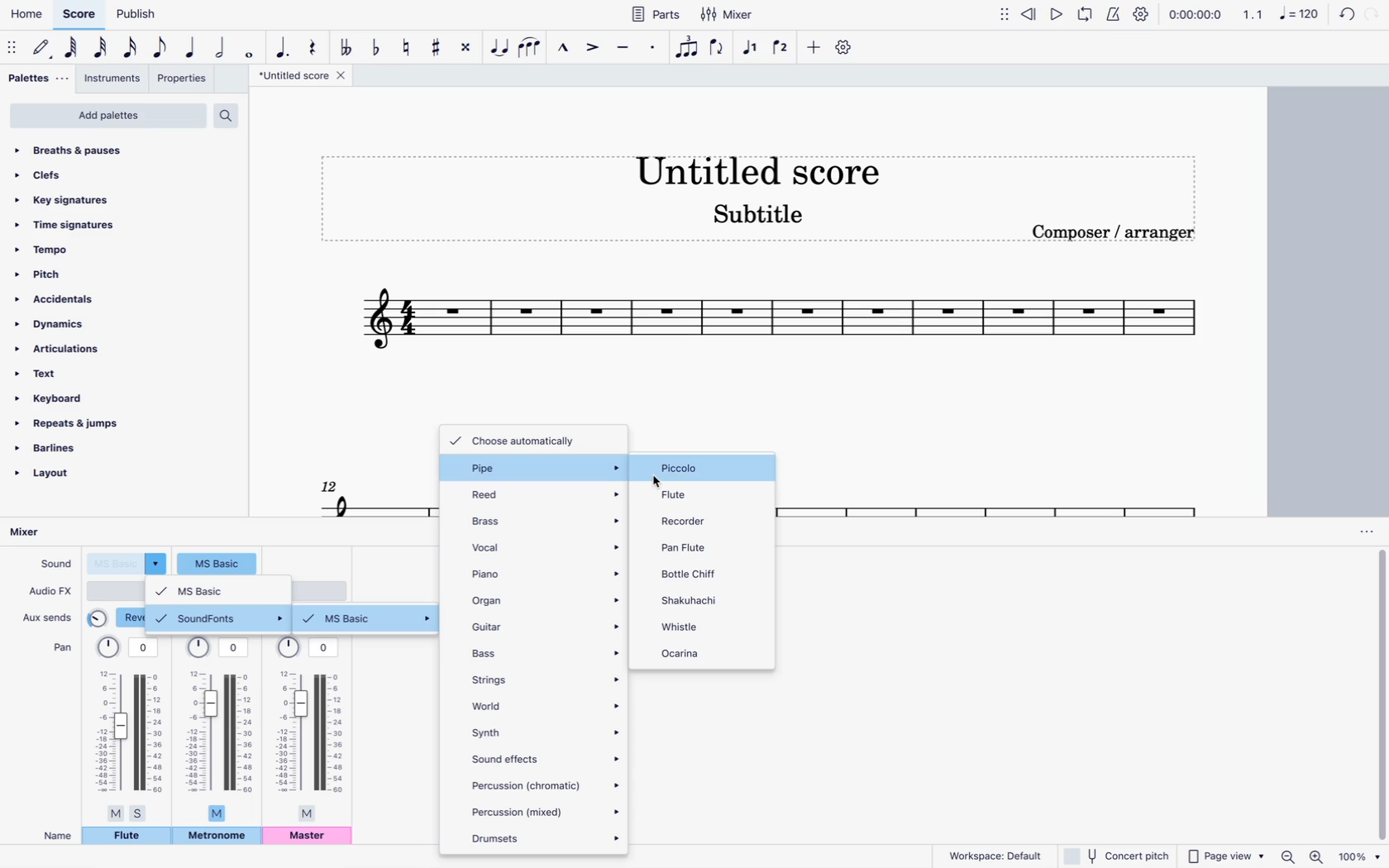  What do you see at coordinates (313, 44) in the screenshot?
I see `rest` at bounding box center [313, 44].